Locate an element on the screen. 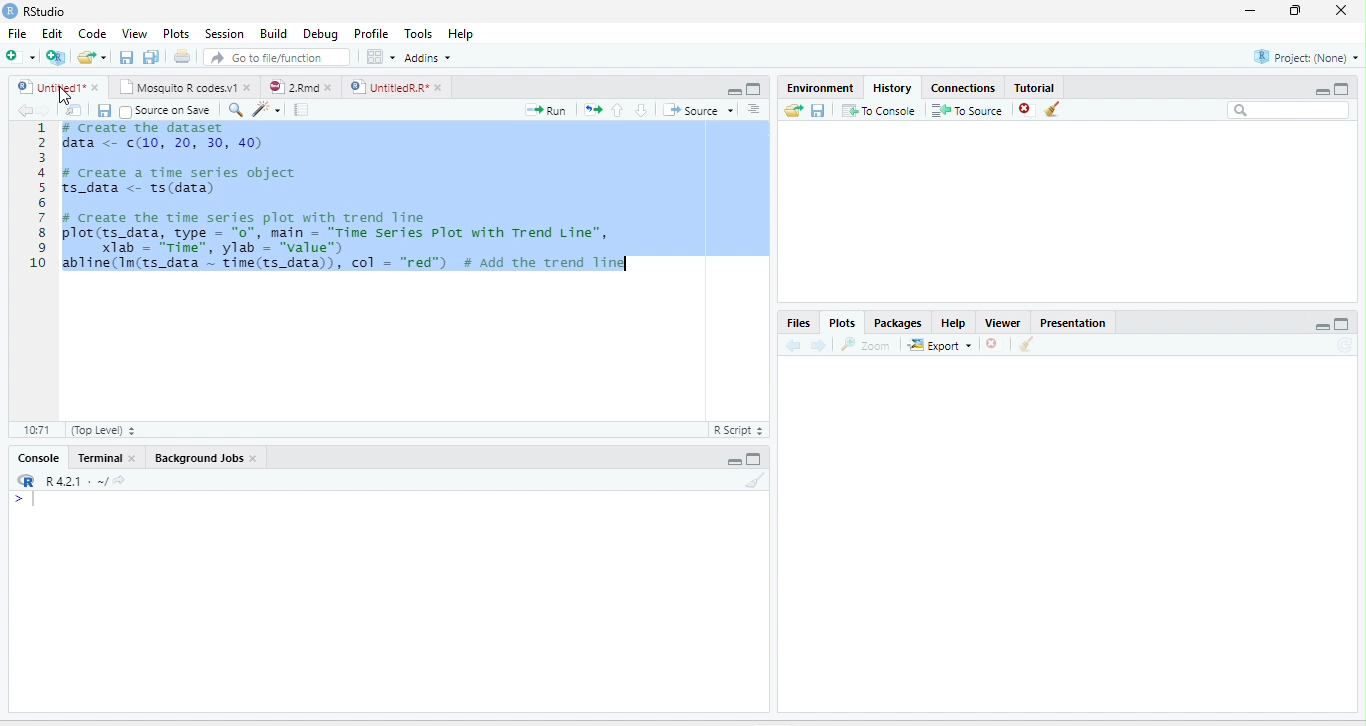  close is located at coordinates (248, 87).